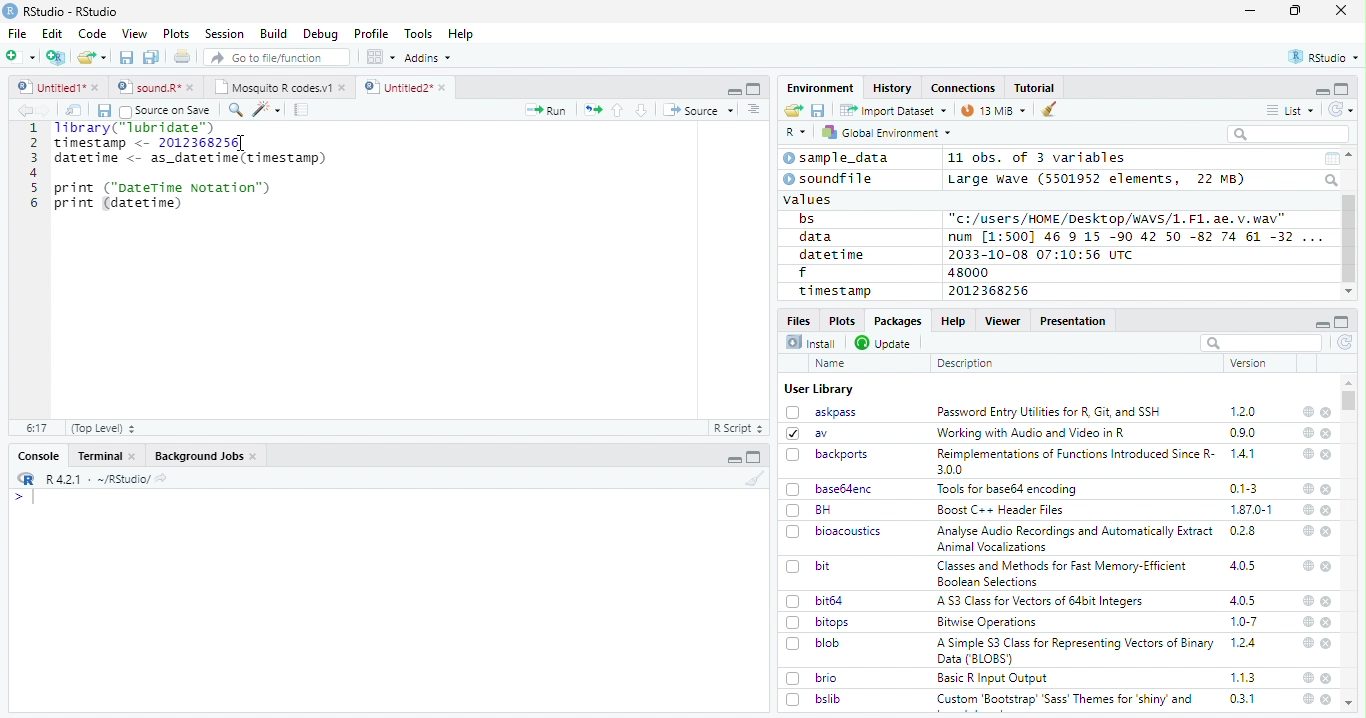 This screenshot has width=1366, height=718. Describe the element at coordinates (71, 11) in the screenshot. I see `RStudio - RStudio` at that location.